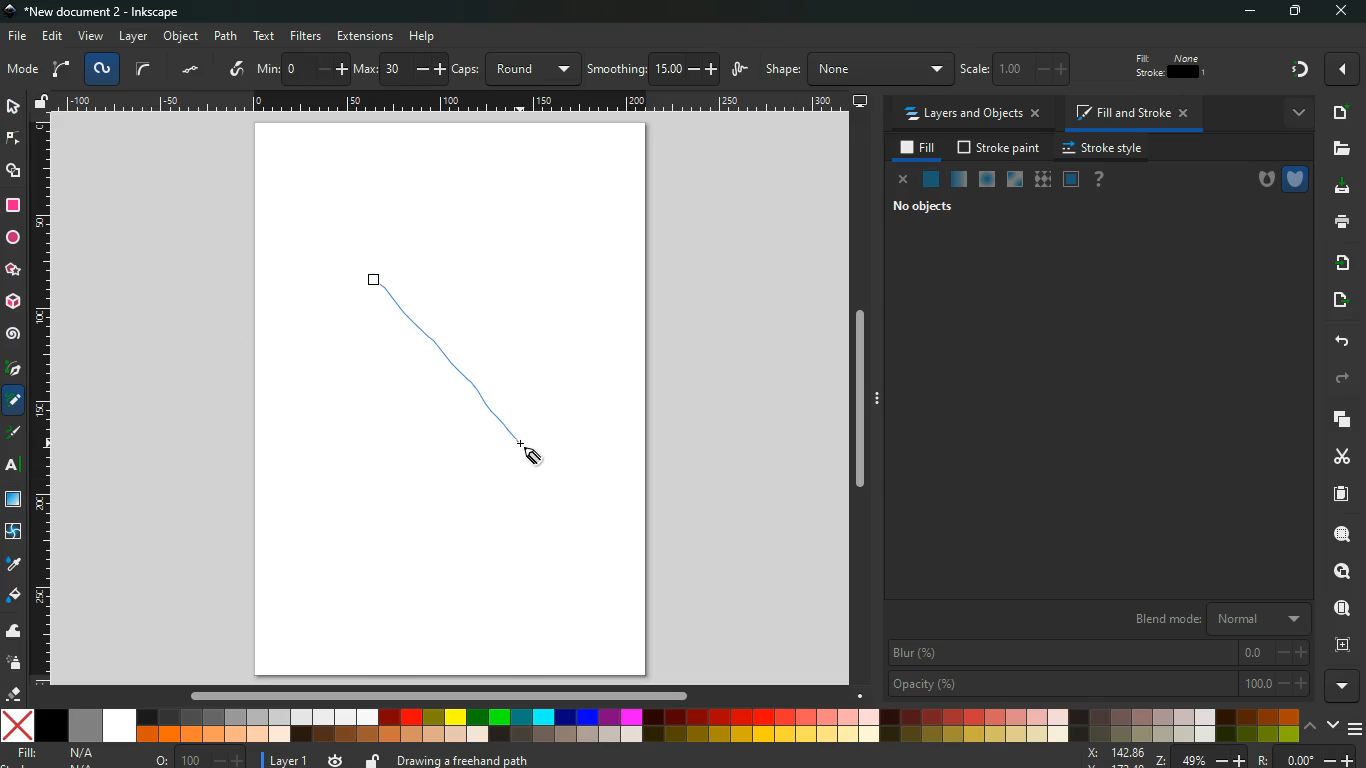 This screenshot has height=768, width=1366. What do you see at coordinates (1344, 686) in the screenshot?
I see `more` at bounding box center [1344, 686].